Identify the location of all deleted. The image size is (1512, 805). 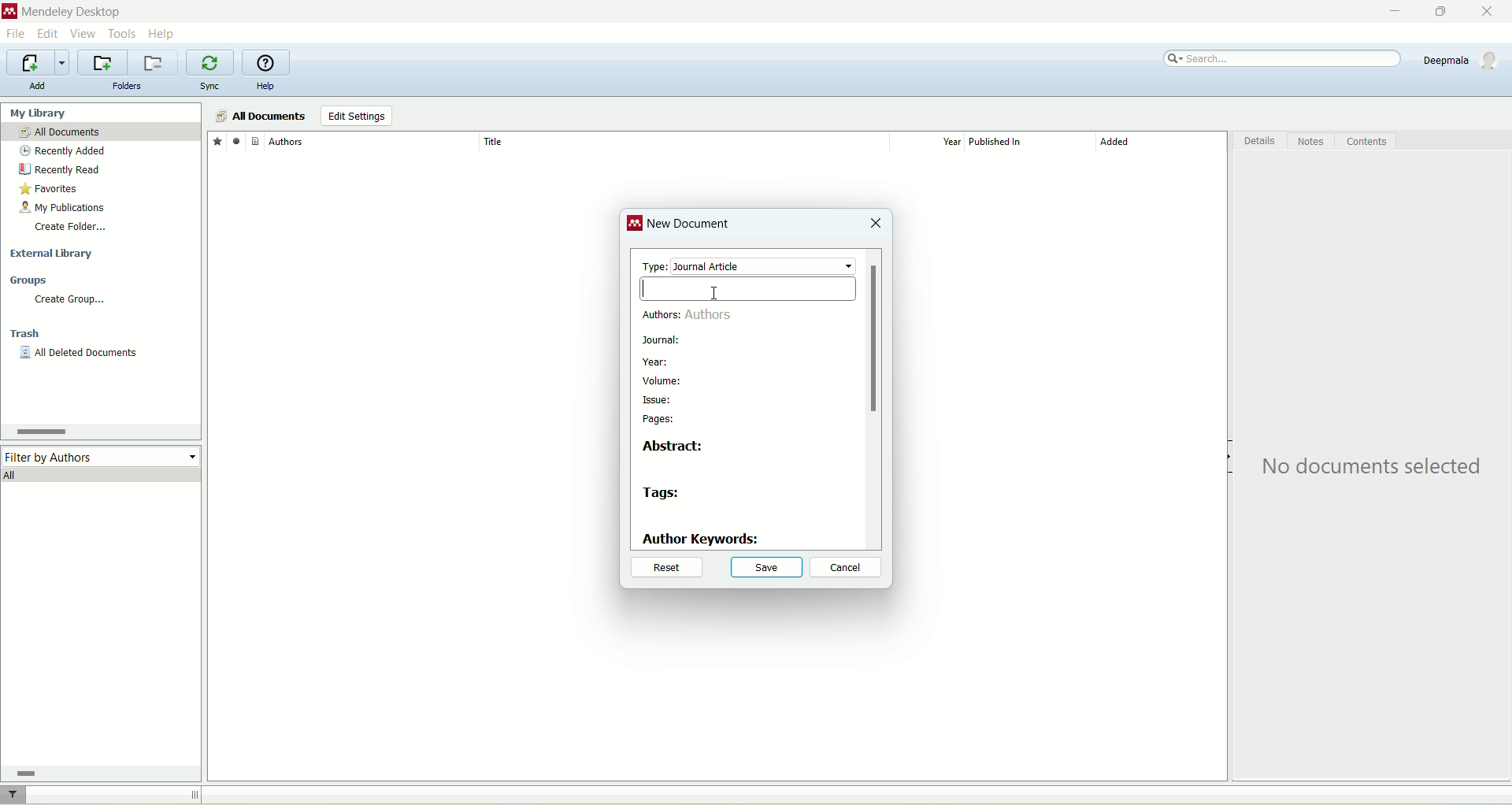
(80, 354).